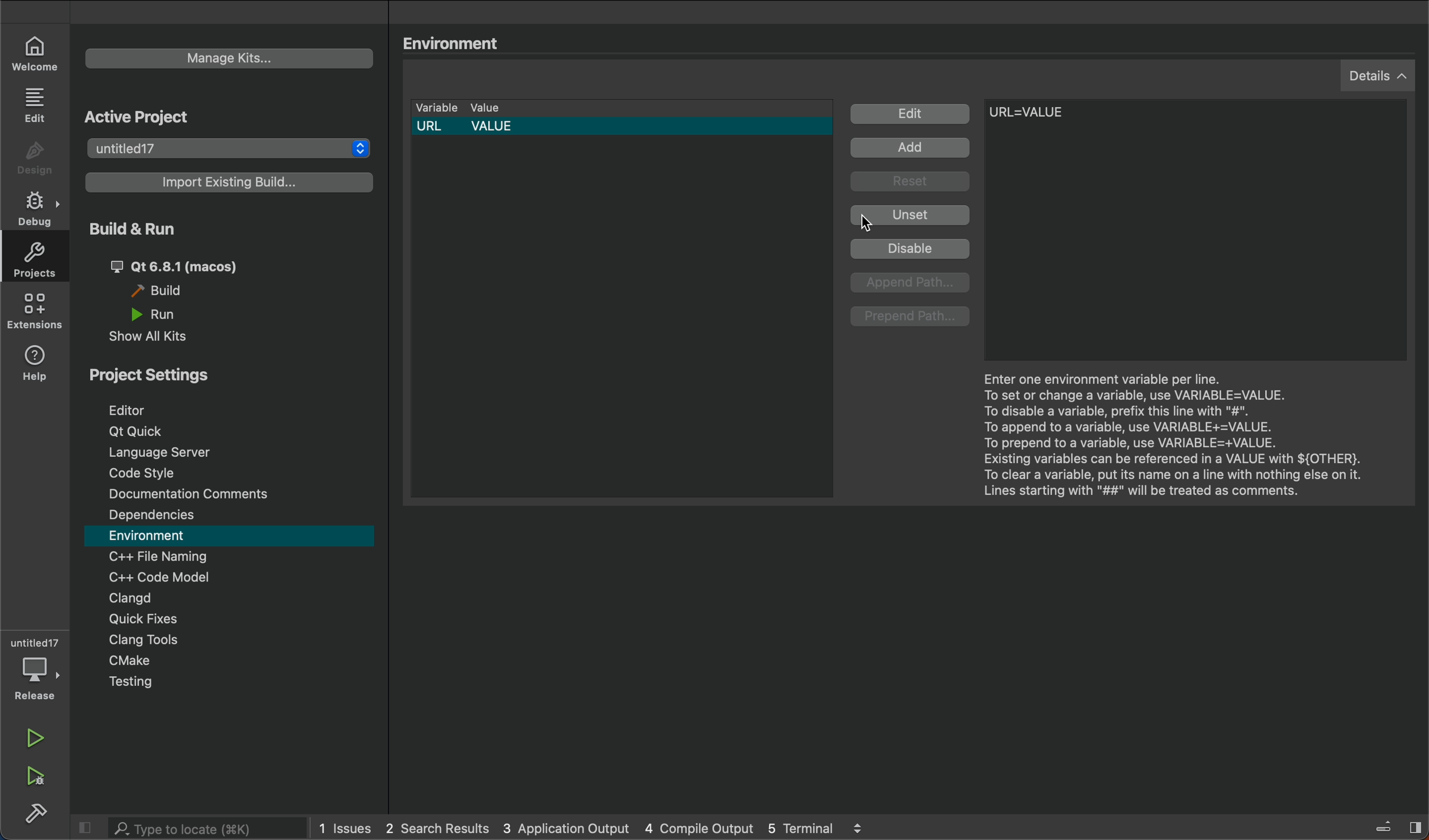 The width and height of the screenshot is (1429, 840). Describe the element at coordinates (142, 432) in the screenshot. I see `qt quick` at that location.